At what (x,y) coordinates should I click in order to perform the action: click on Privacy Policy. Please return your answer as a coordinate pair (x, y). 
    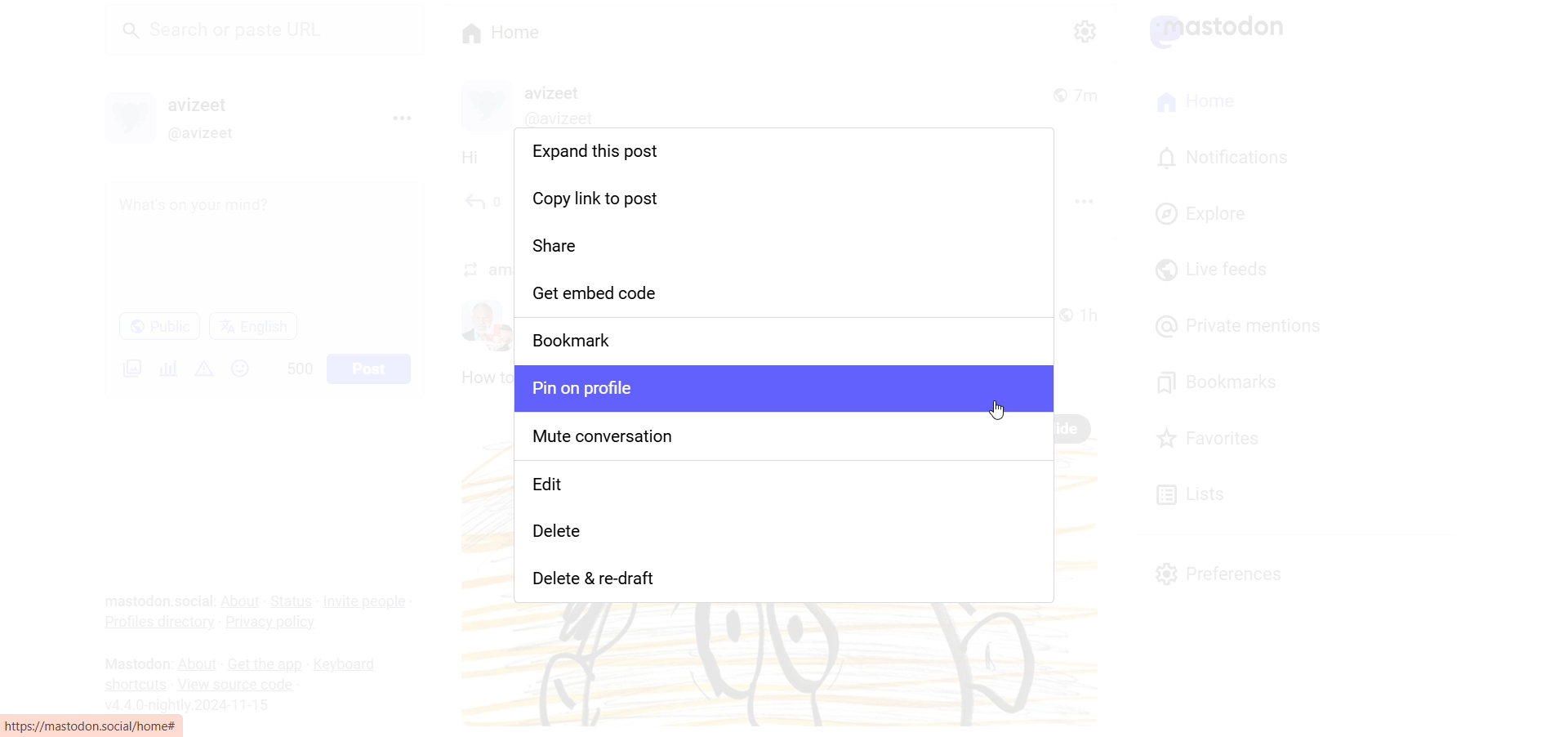
    Looking at the image, I should click on (274, 622).